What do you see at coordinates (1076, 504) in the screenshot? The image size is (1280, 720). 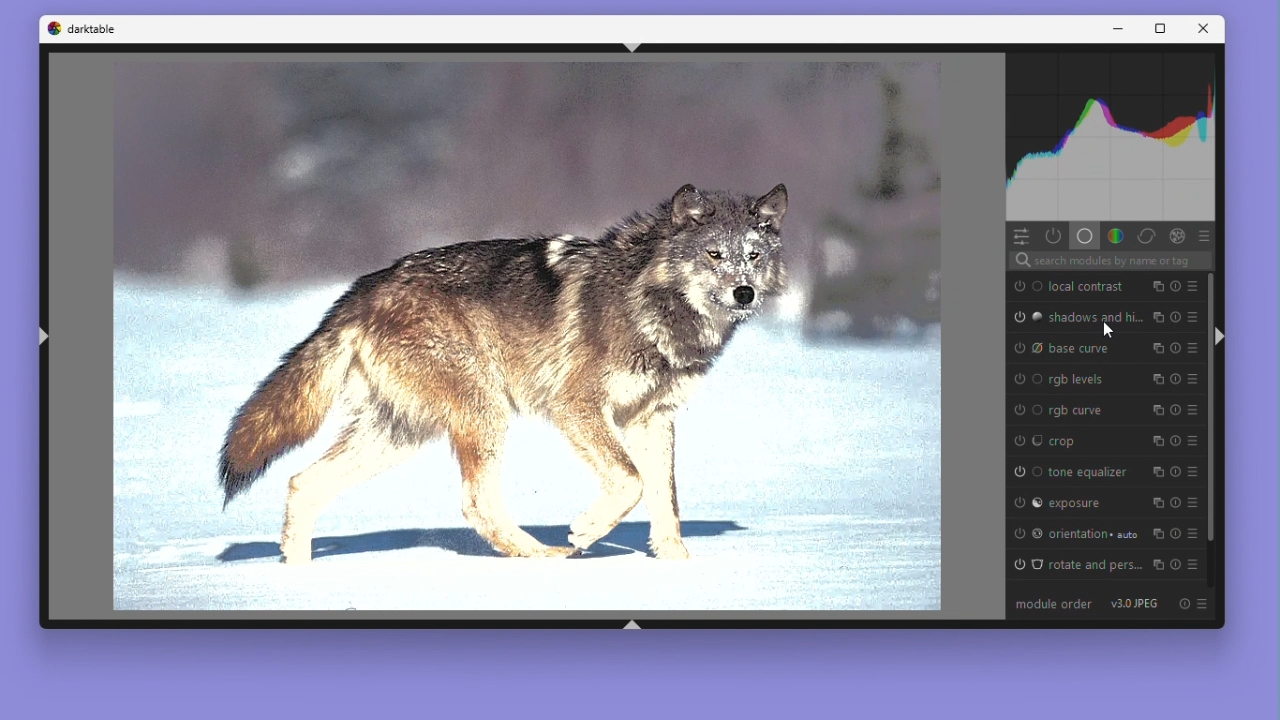 I see `exposure` at bounding box center [1076, 504].